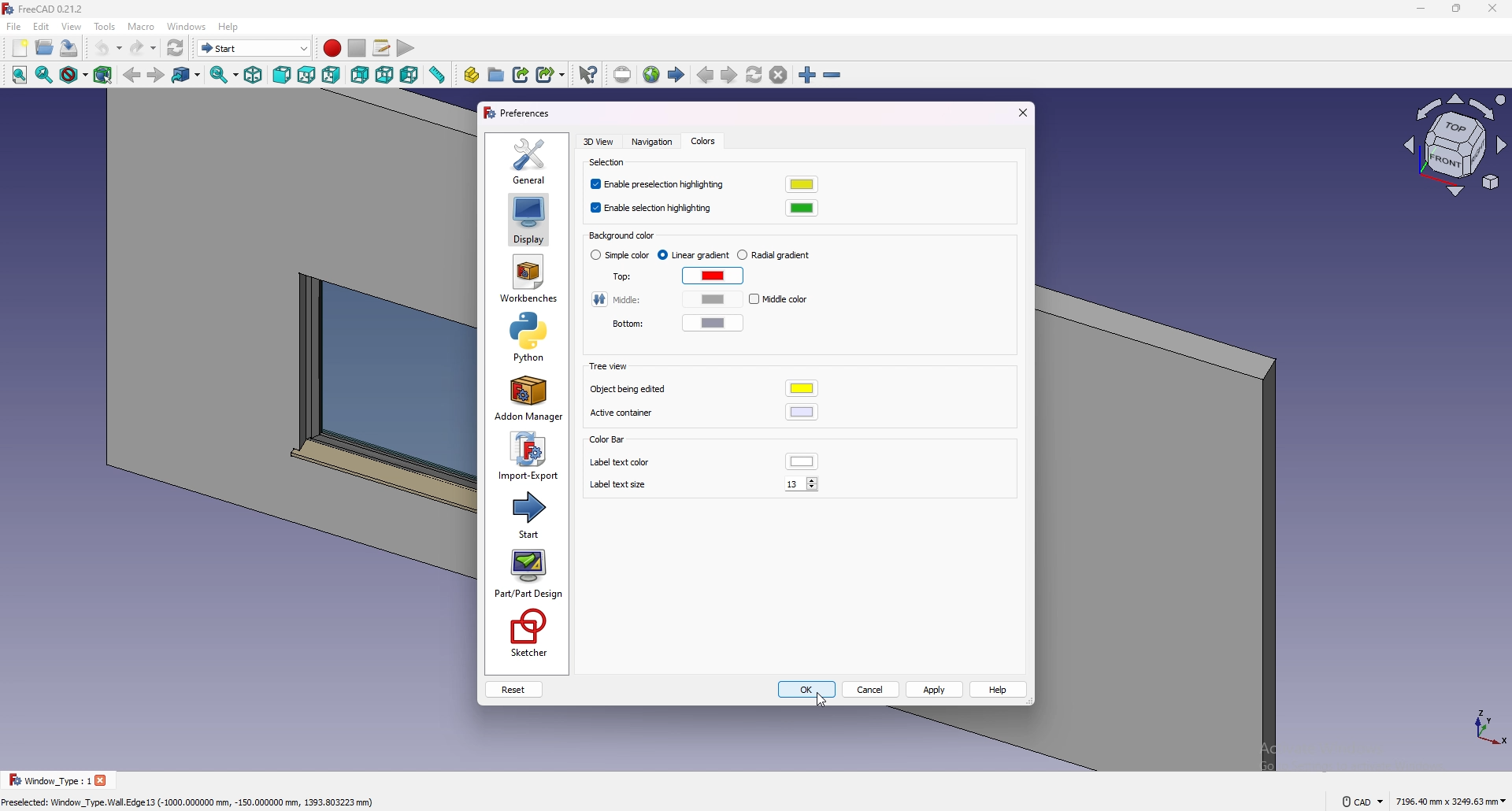 This screenshot has width=1512, height=811. What do you see at coordinates (529, 574) in the screenshot?
I see `part/part design` at bounding box center [529, 574].